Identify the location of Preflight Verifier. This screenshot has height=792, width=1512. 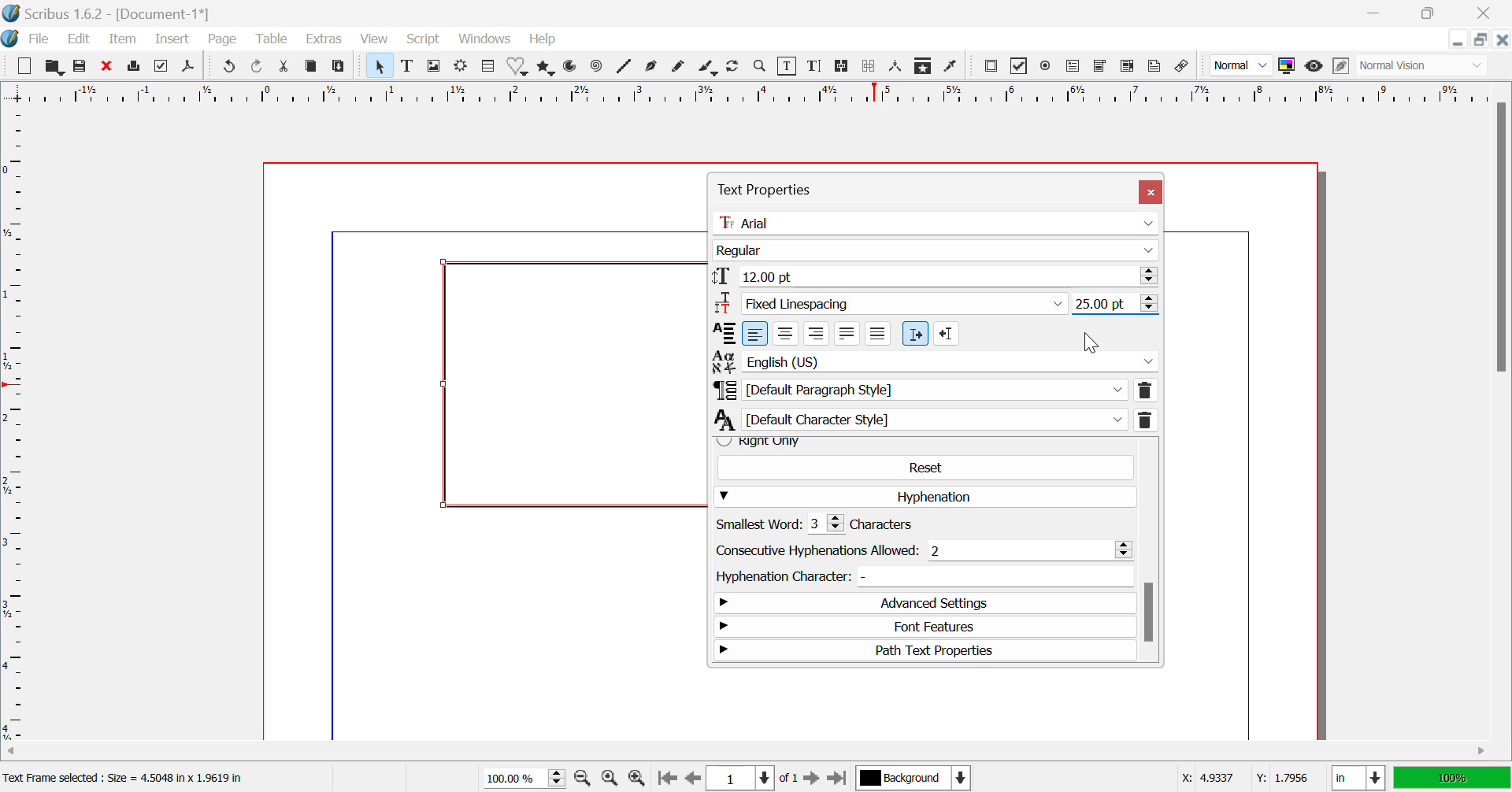
(161, 68).